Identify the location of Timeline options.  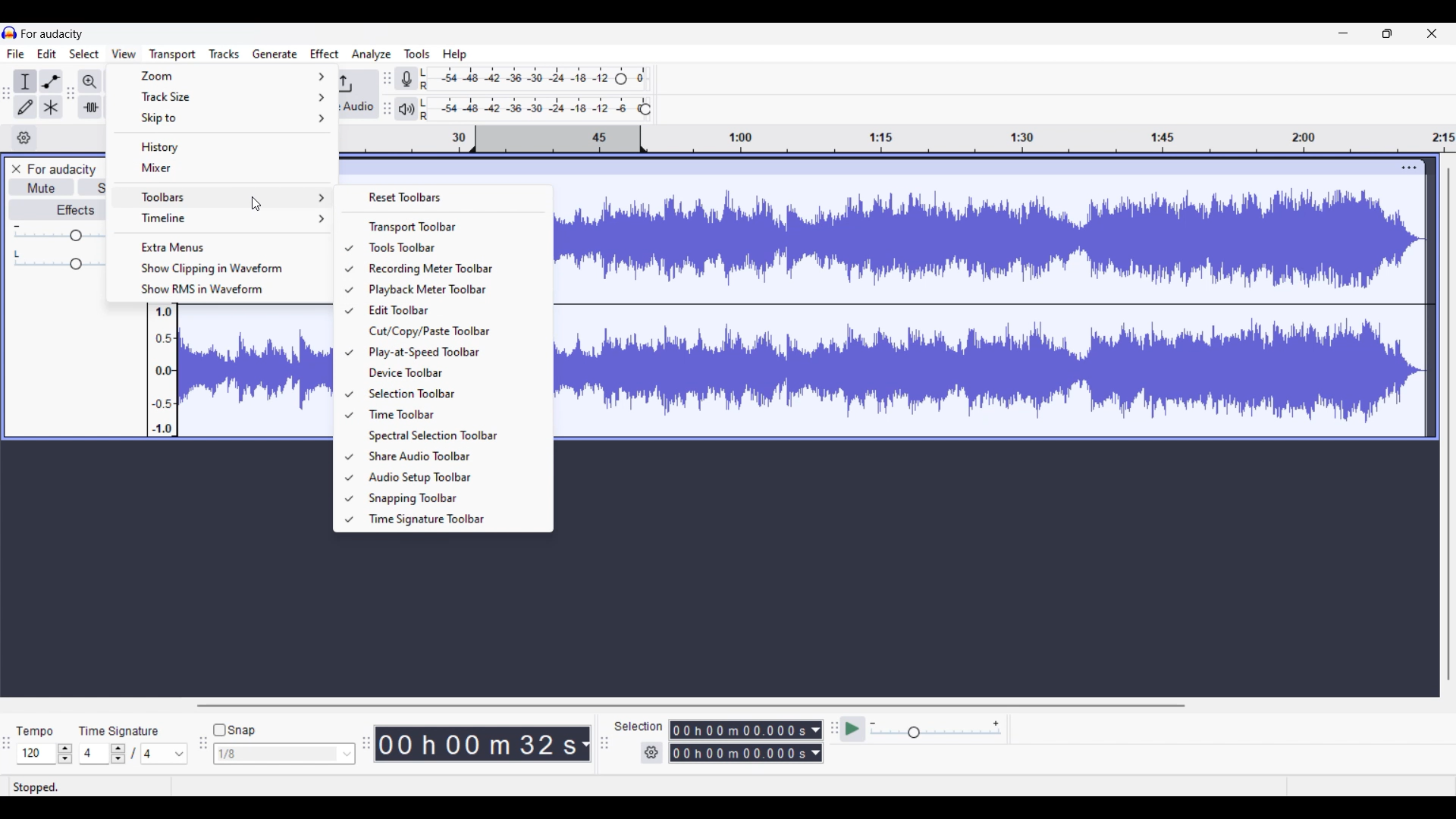
(24, 138).